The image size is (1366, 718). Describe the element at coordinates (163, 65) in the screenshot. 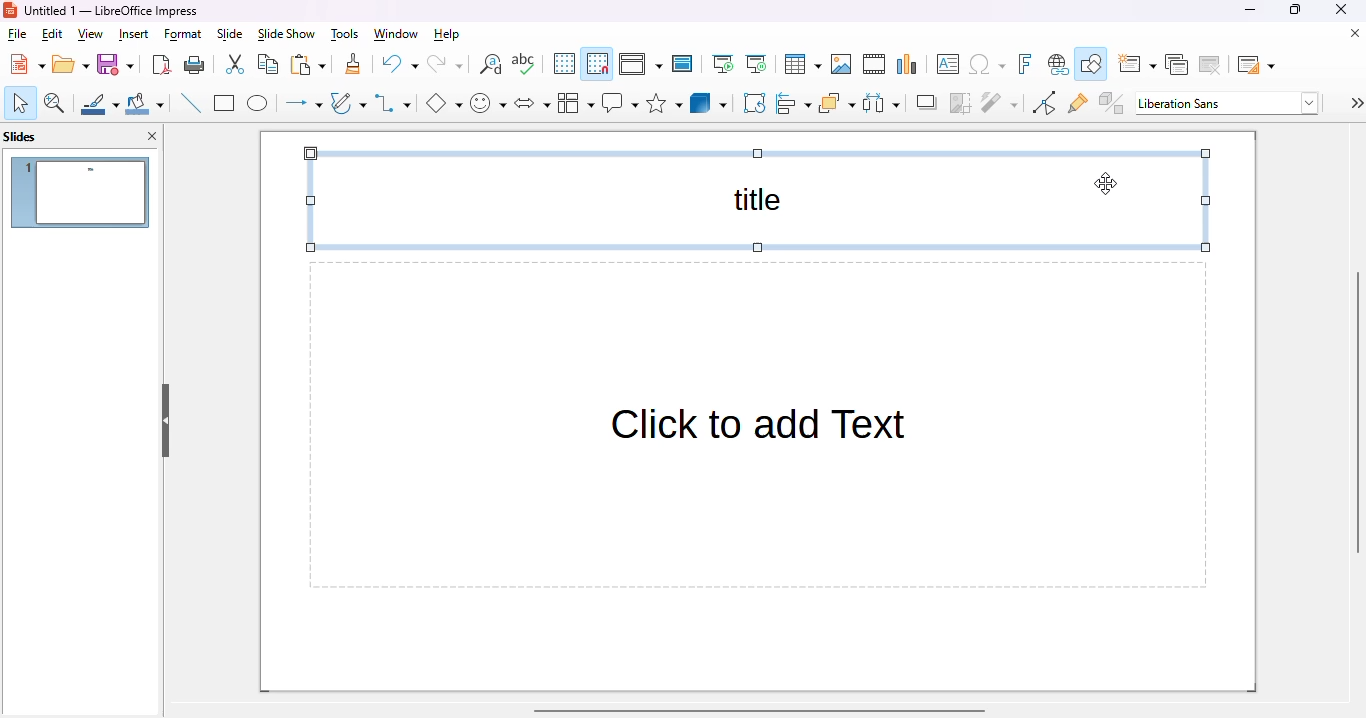

I see `export directly as PDF` at that location.